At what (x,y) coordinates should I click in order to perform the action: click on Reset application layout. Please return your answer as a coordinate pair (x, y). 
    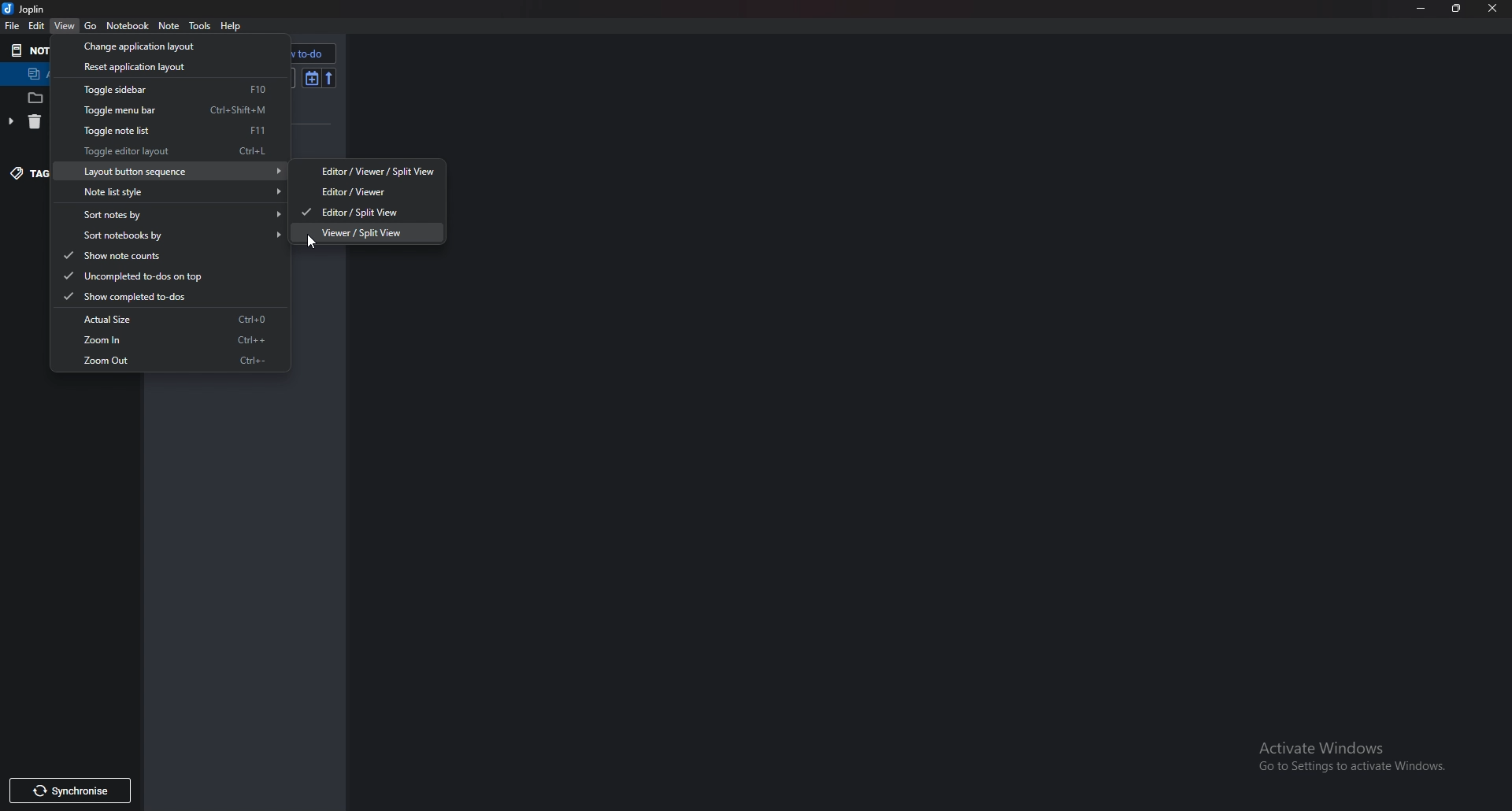
    Looking at the image, I should click on (161, 68).